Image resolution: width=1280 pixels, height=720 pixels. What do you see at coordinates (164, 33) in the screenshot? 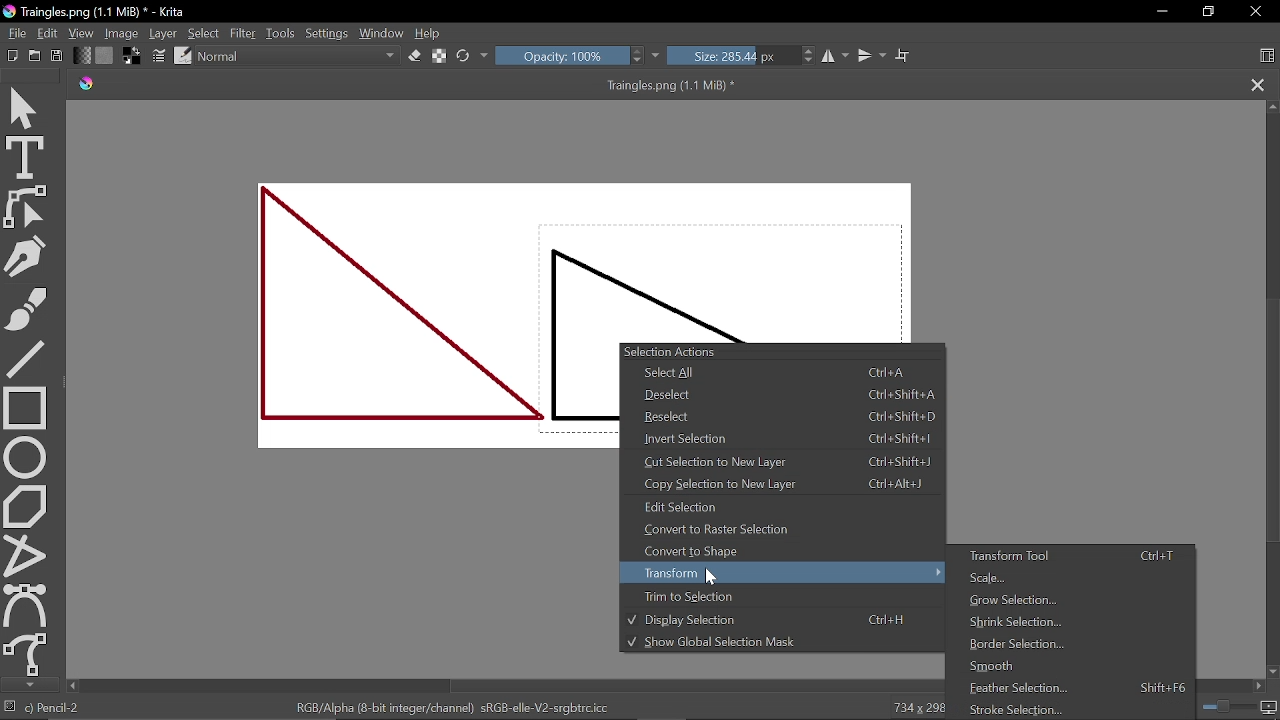
I see `Layer` at bounding box center [164, 33].